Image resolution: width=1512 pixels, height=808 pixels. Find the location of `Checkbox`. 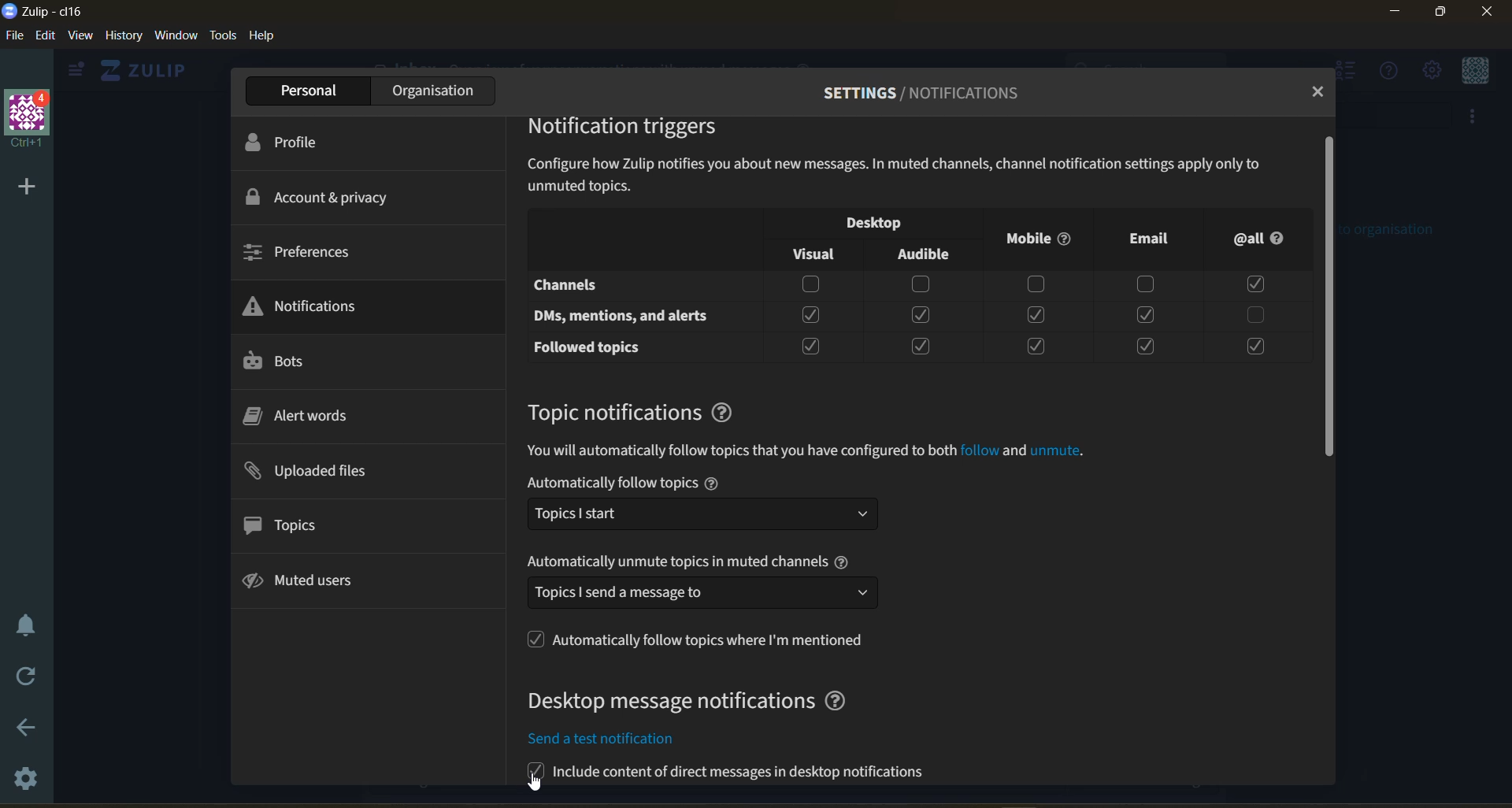

Checkbox is located at coordinates (809, 286).